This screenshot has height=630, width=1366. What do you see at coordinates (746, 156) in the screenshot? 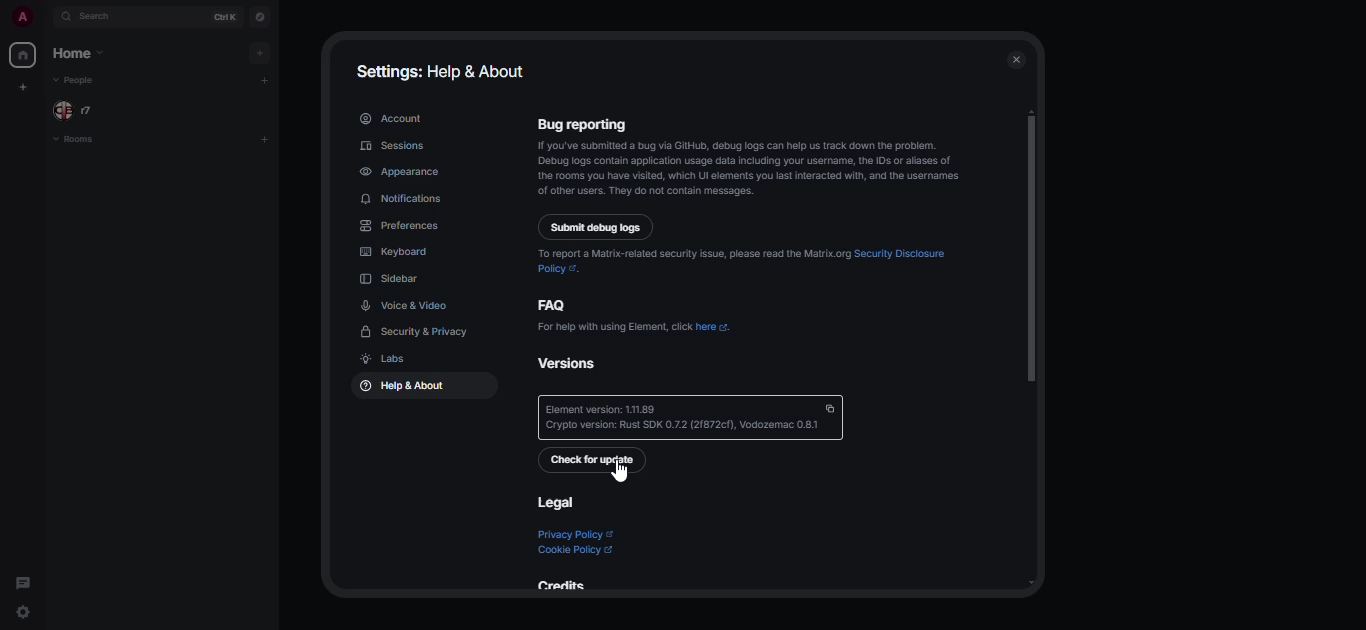
I see `Bug reporting

Hf youve submied 3 ug vi GID, debug logs can help us rack down he problem.
Debug logs contain appication usage daa ncuing your username, th Ds o aases of
1a rooms you have visted, which Ul elements you ast neracted with, and the usernames
of other users. They do not contain messages.` at bounding box center [746, 156].